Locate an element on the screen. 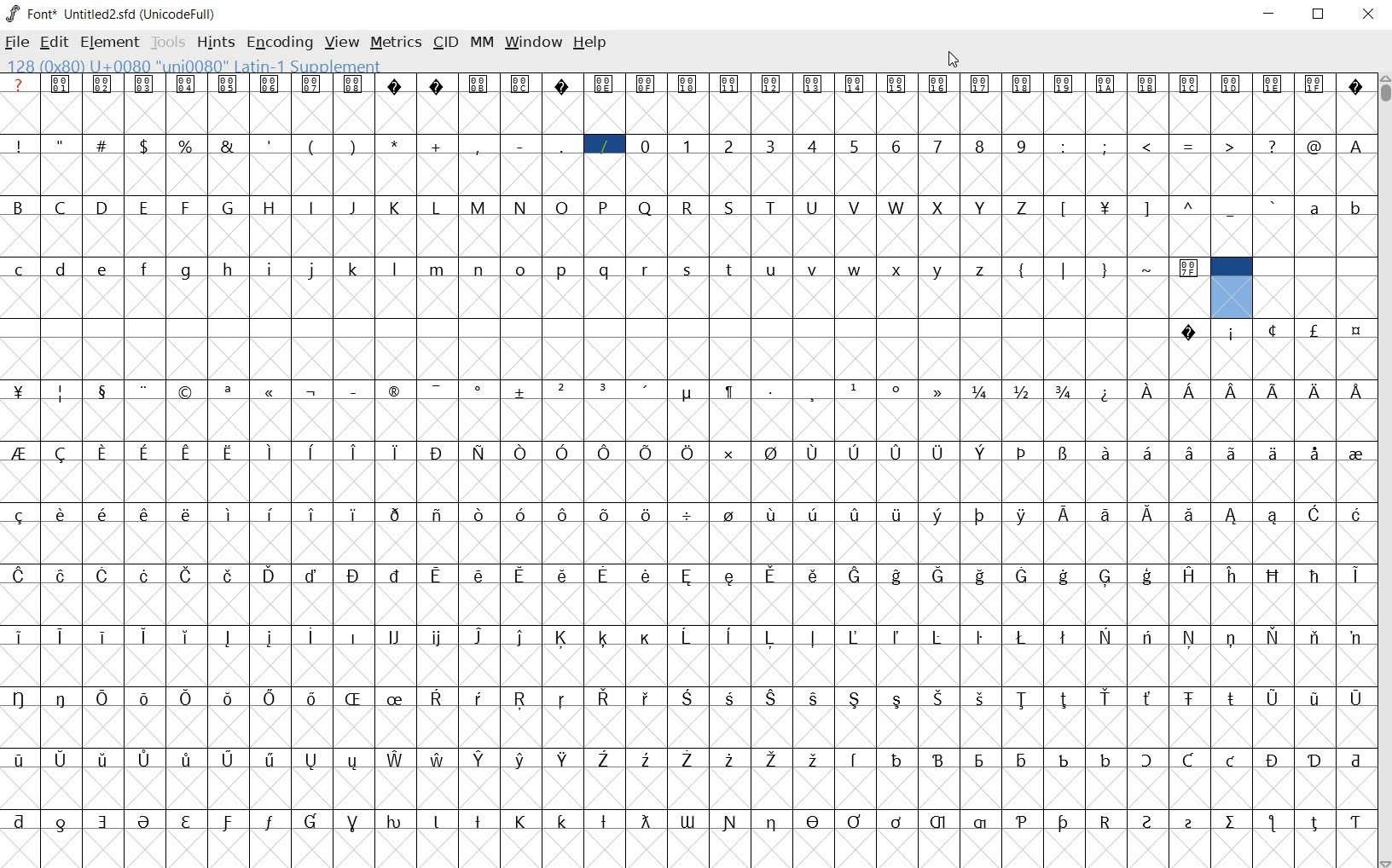  Symbol is located at coordinates (1354, 391).